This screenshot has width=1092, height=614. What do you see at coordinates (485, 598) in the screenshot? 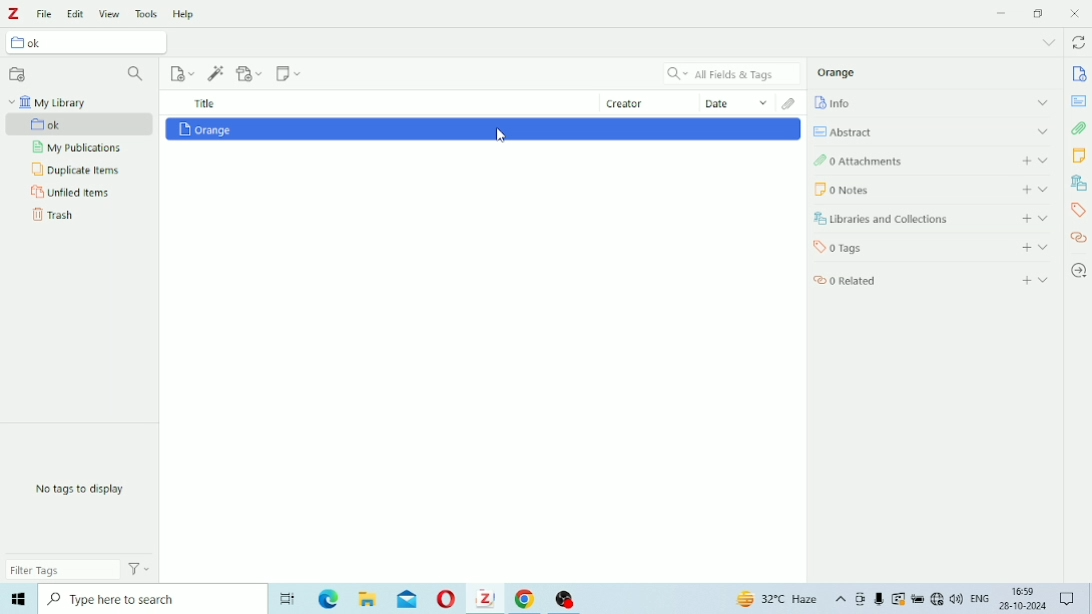
I see `Zotero` at bounding box center [485, 598].